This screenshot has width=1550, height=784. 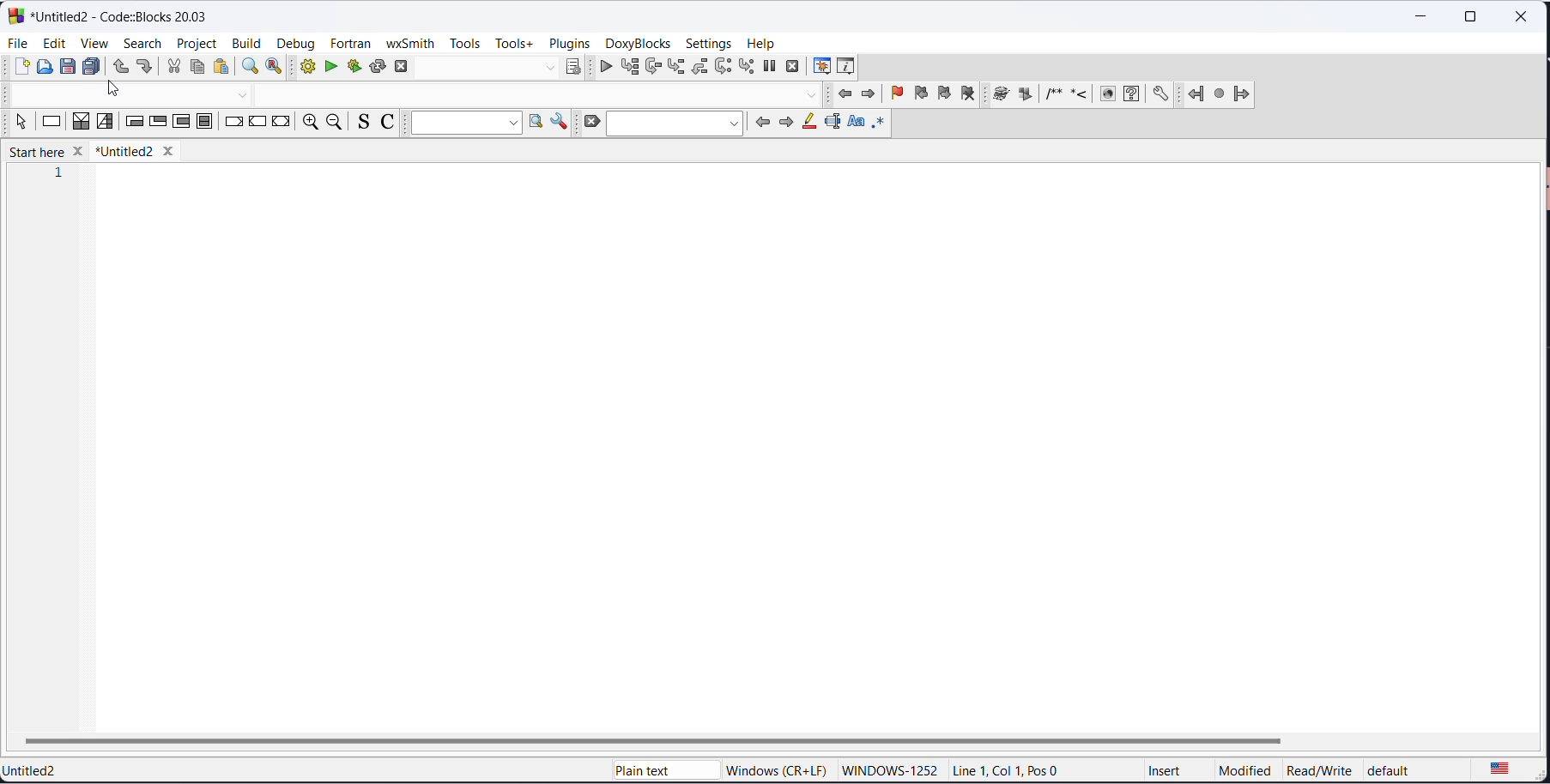 What do you see at coordinates (1081, 96) in the screenshot?
I see `insert line` at bounding box center [1081, 96].